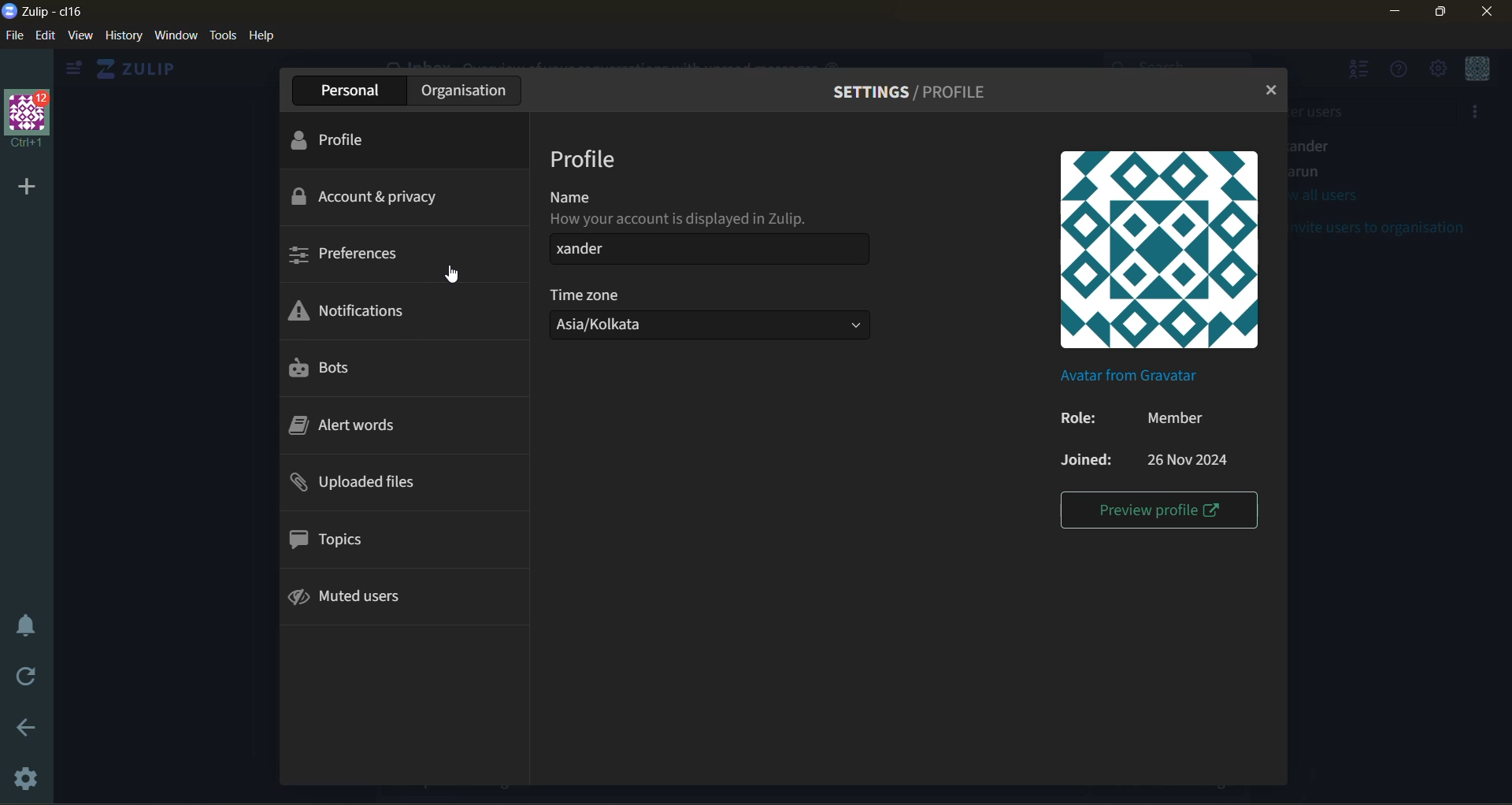 Image resolution: width=1512 pixels, height=805 pixels. Describe the element at coordinates (1393, 12) in the screenshot. I see `minimize` at that location.